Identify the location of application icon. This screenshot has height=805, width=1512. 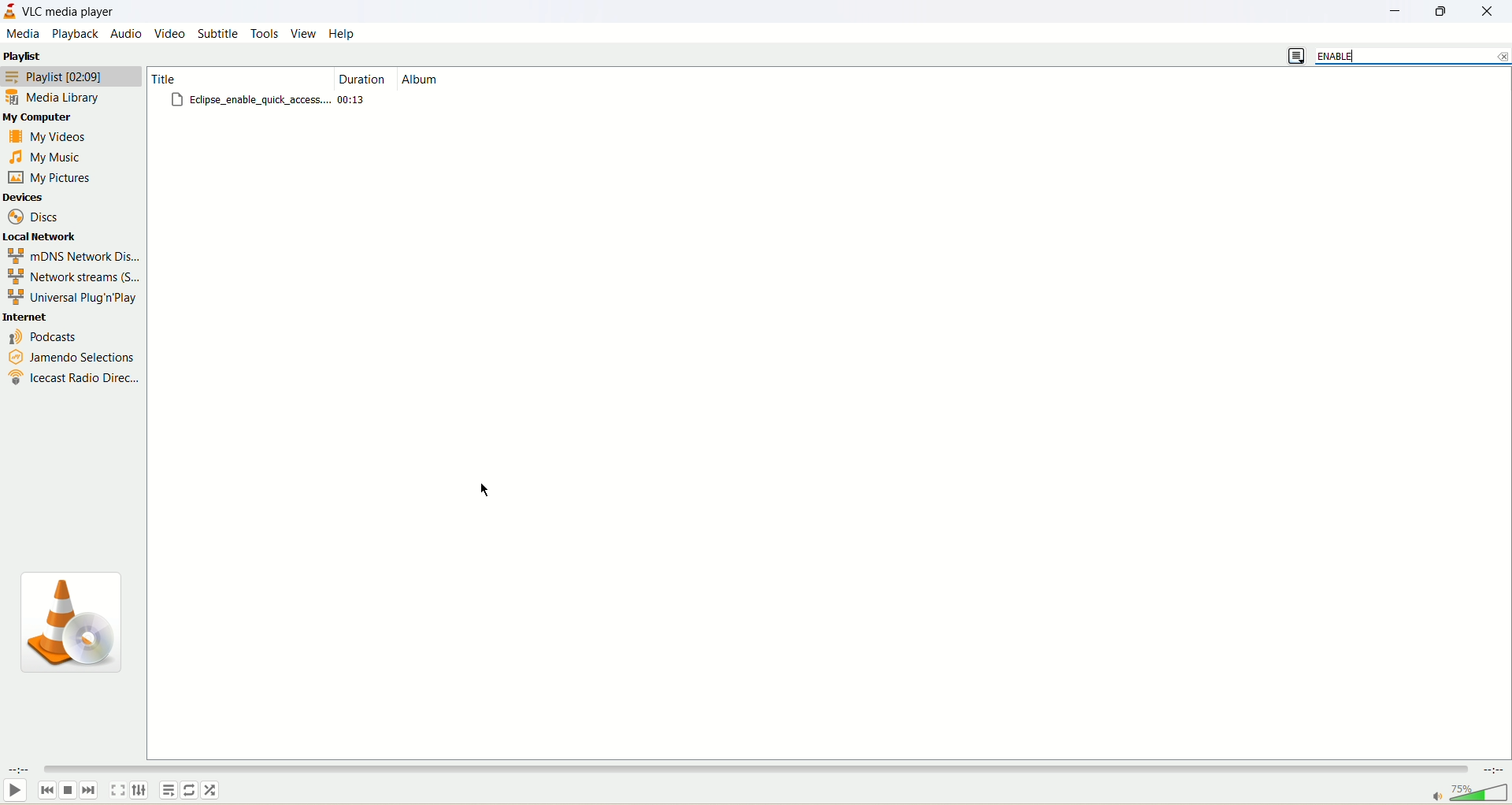
(10, 12).